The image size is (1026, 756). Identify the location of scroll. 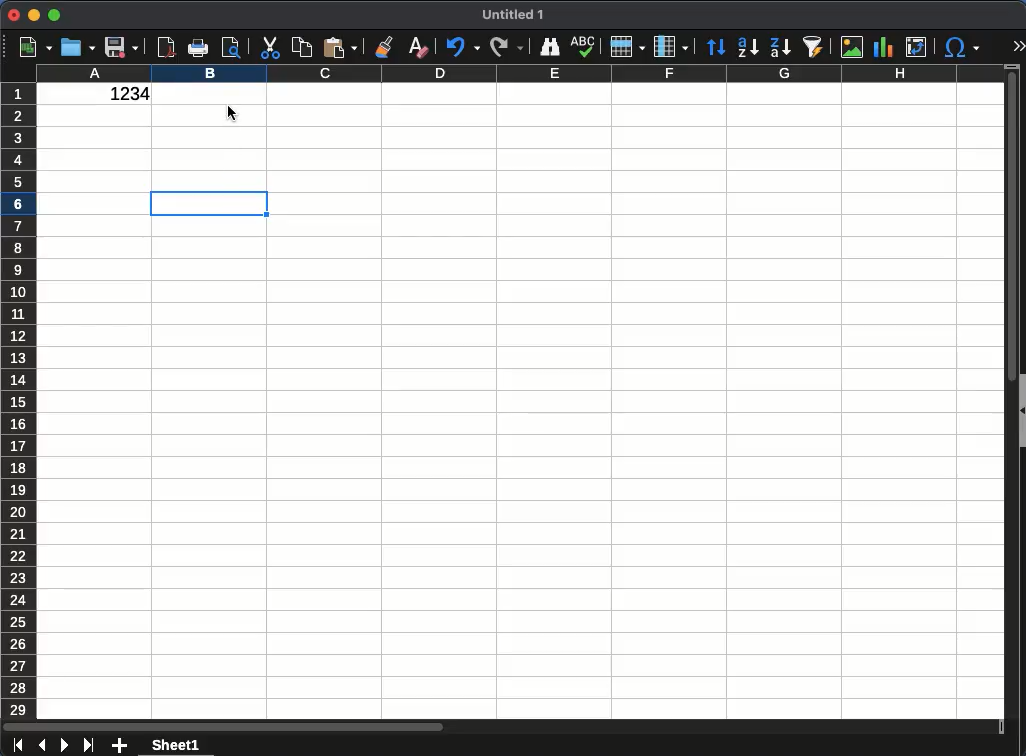
(504, 726).